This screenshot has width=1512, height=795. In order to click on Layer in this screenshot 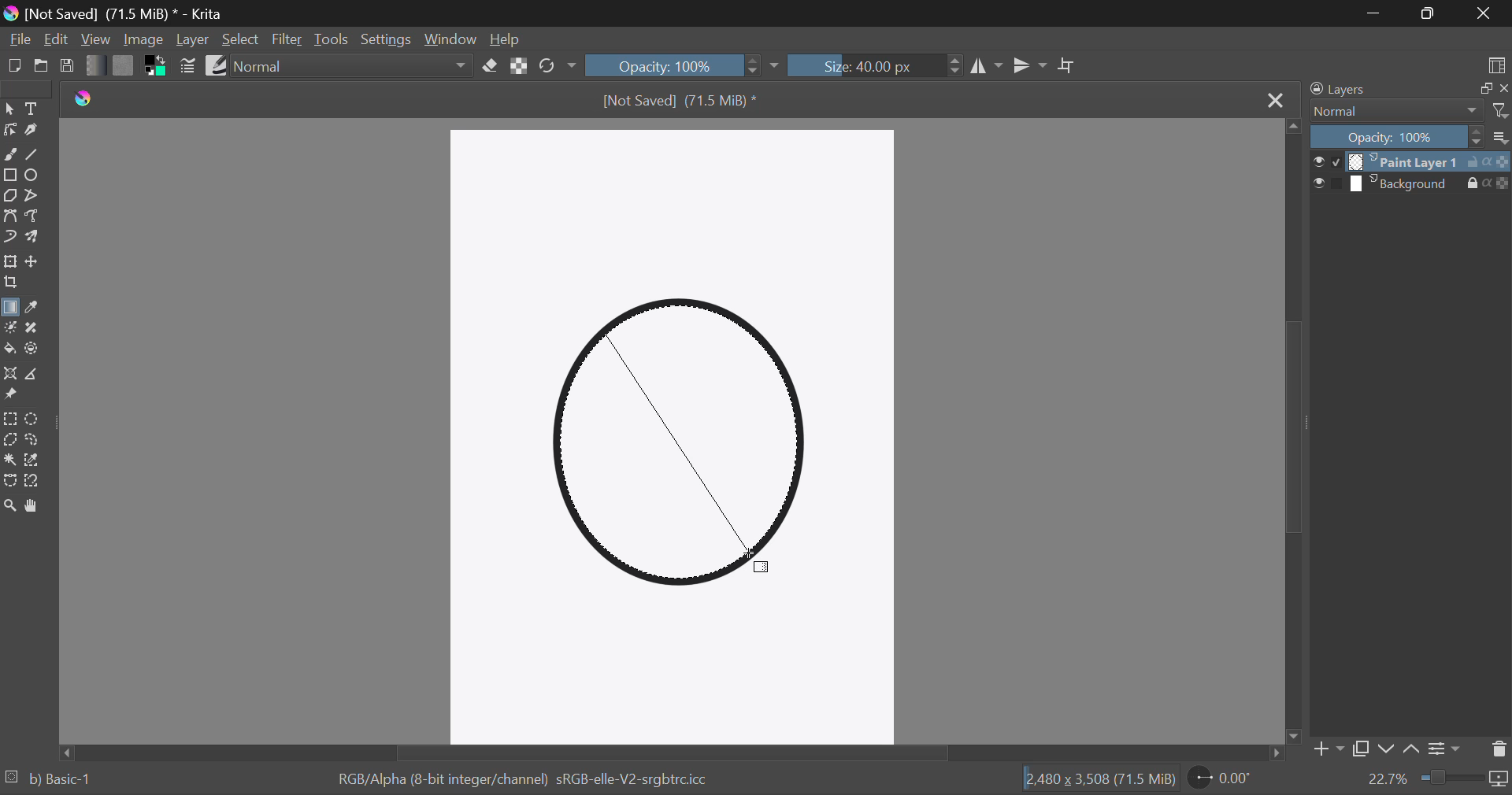, I will do `click(193, 40)`.